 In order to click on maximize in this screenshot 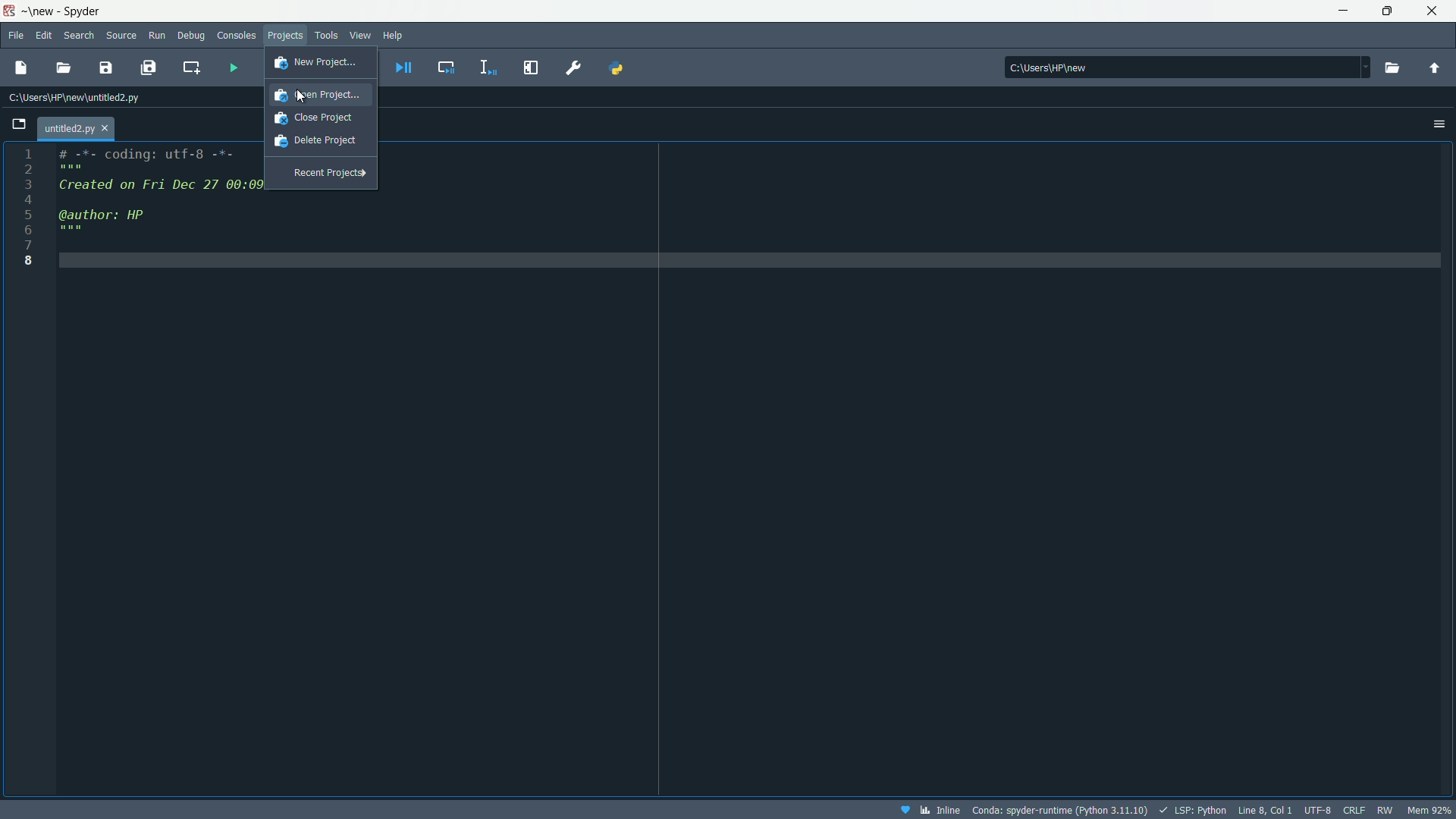, I will do `click(1382, 11)`.